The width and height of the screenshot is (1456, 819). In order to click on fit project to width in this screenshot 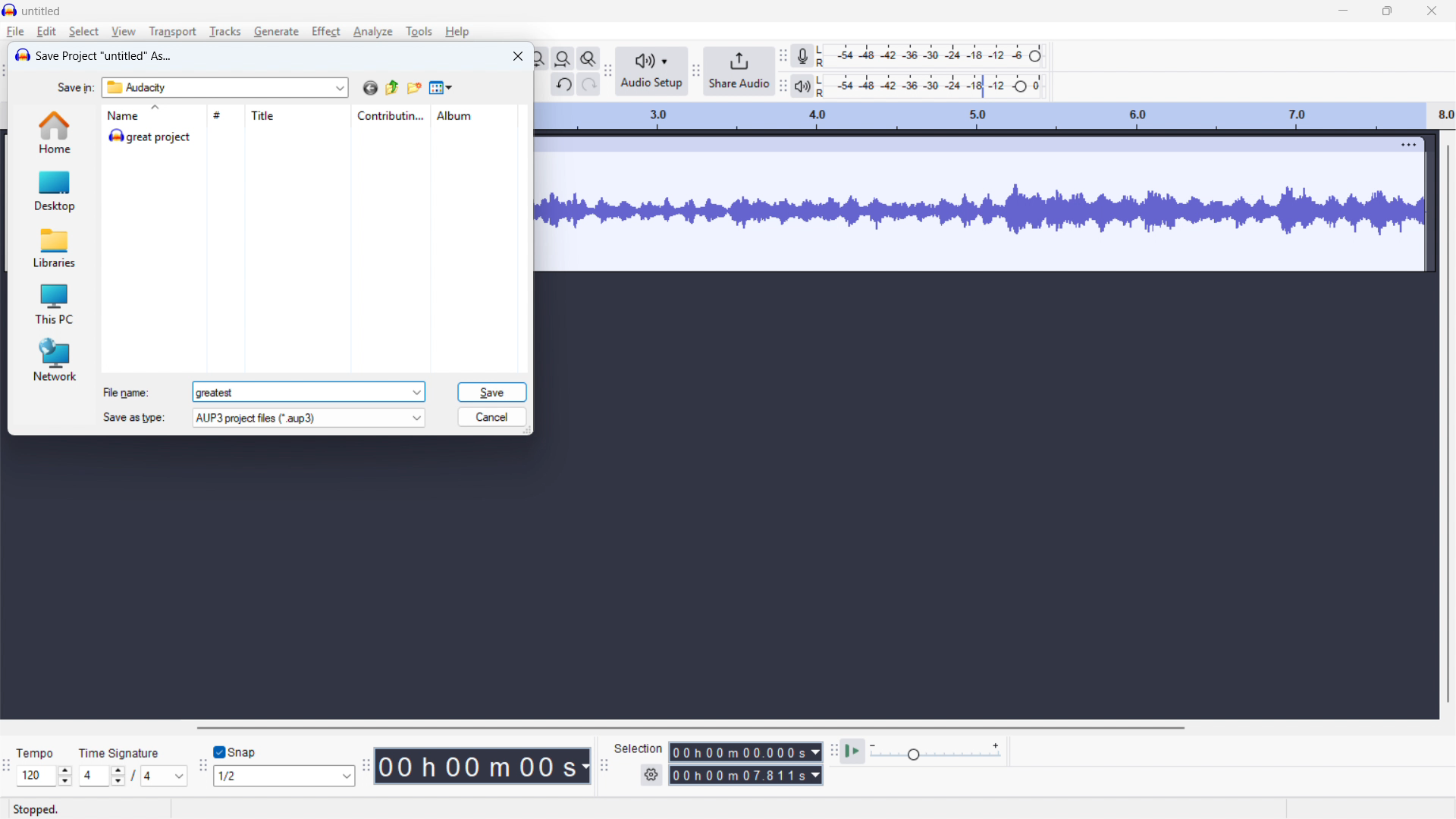, I will do `click(563, 59)`.